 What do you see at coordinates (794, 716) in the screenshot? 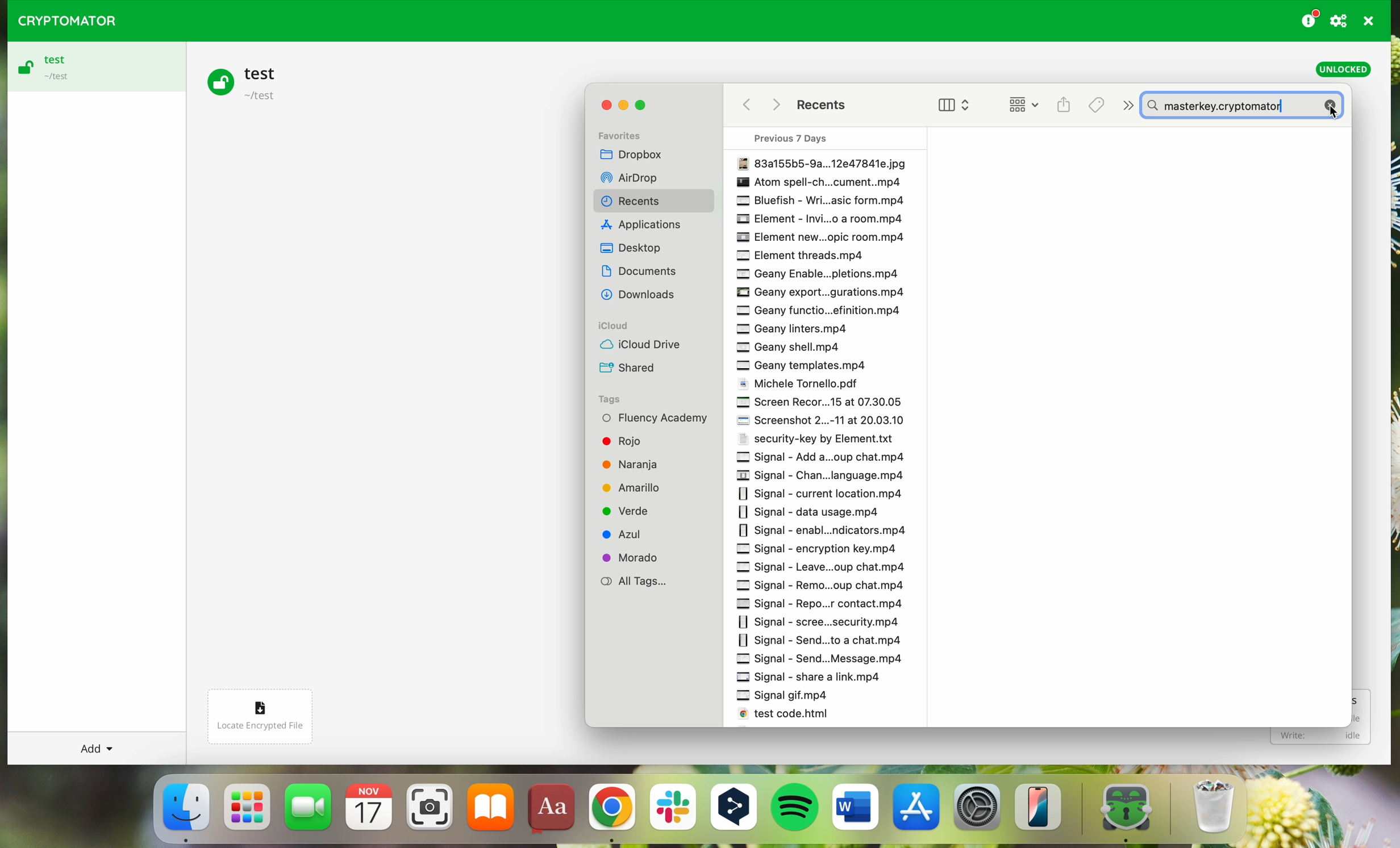
I see `test code html.` at bounding box center [794, 716].